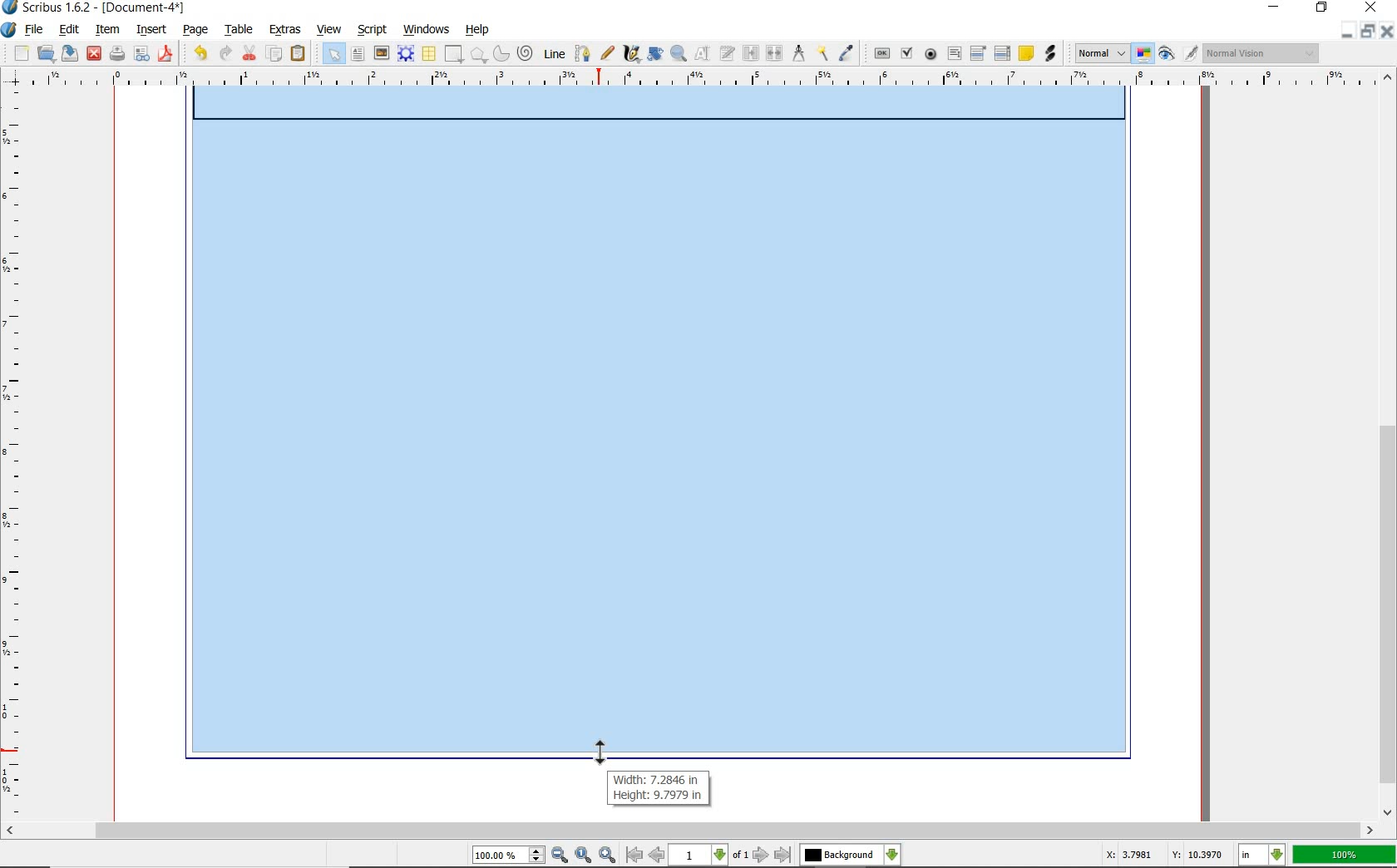 Image resolution: width=1397 pixels, height=868 pixels. Describe the element at coordinates (329, 30) in the screenshot. I see `view` at that location.